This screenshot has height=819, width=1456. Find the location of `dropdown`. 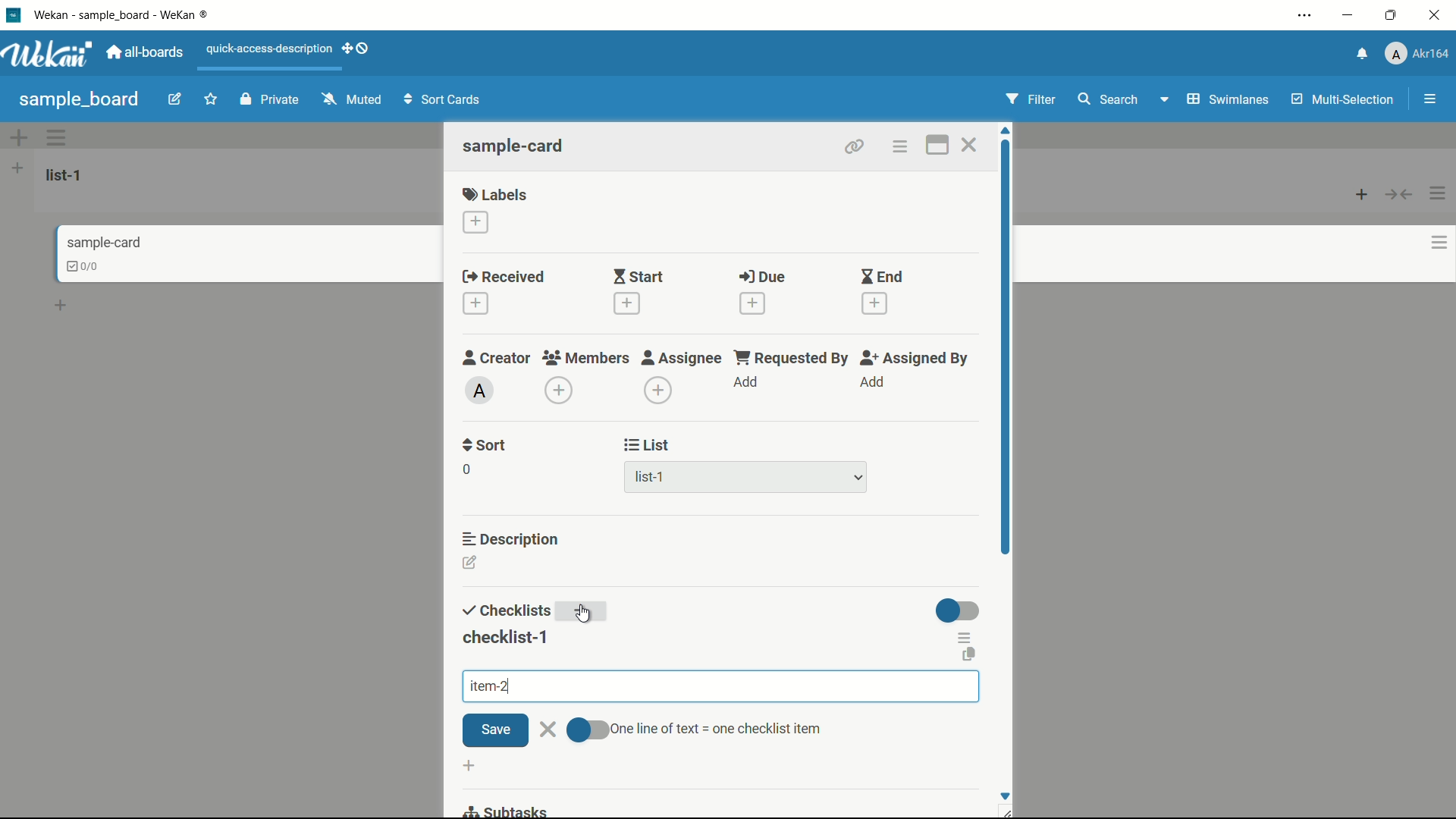

dropdown is located at coordinates (1163, 102).